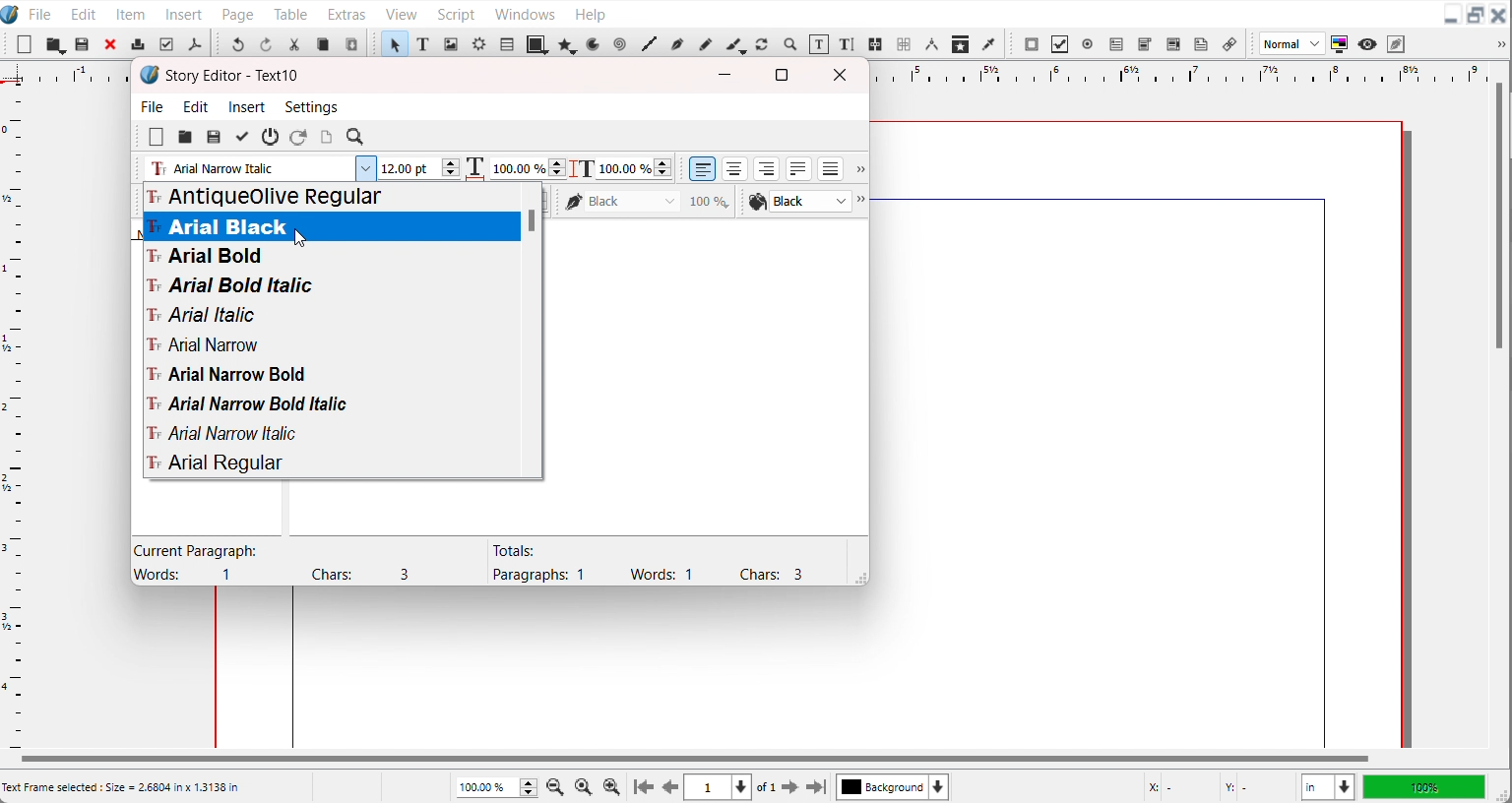  I want to click on Paste, so click(351, 43).